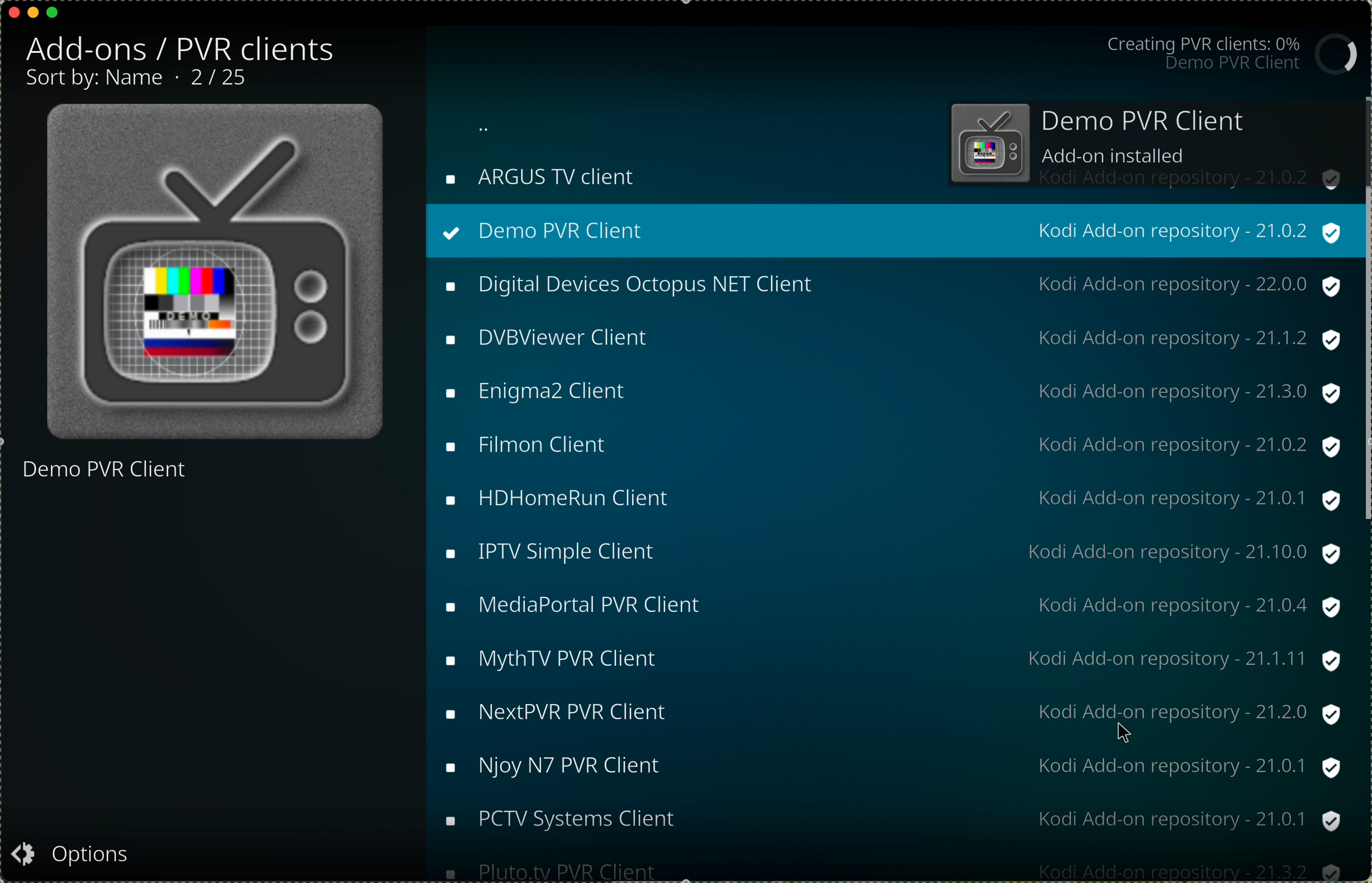  I want to click on , so click(1363, 486).